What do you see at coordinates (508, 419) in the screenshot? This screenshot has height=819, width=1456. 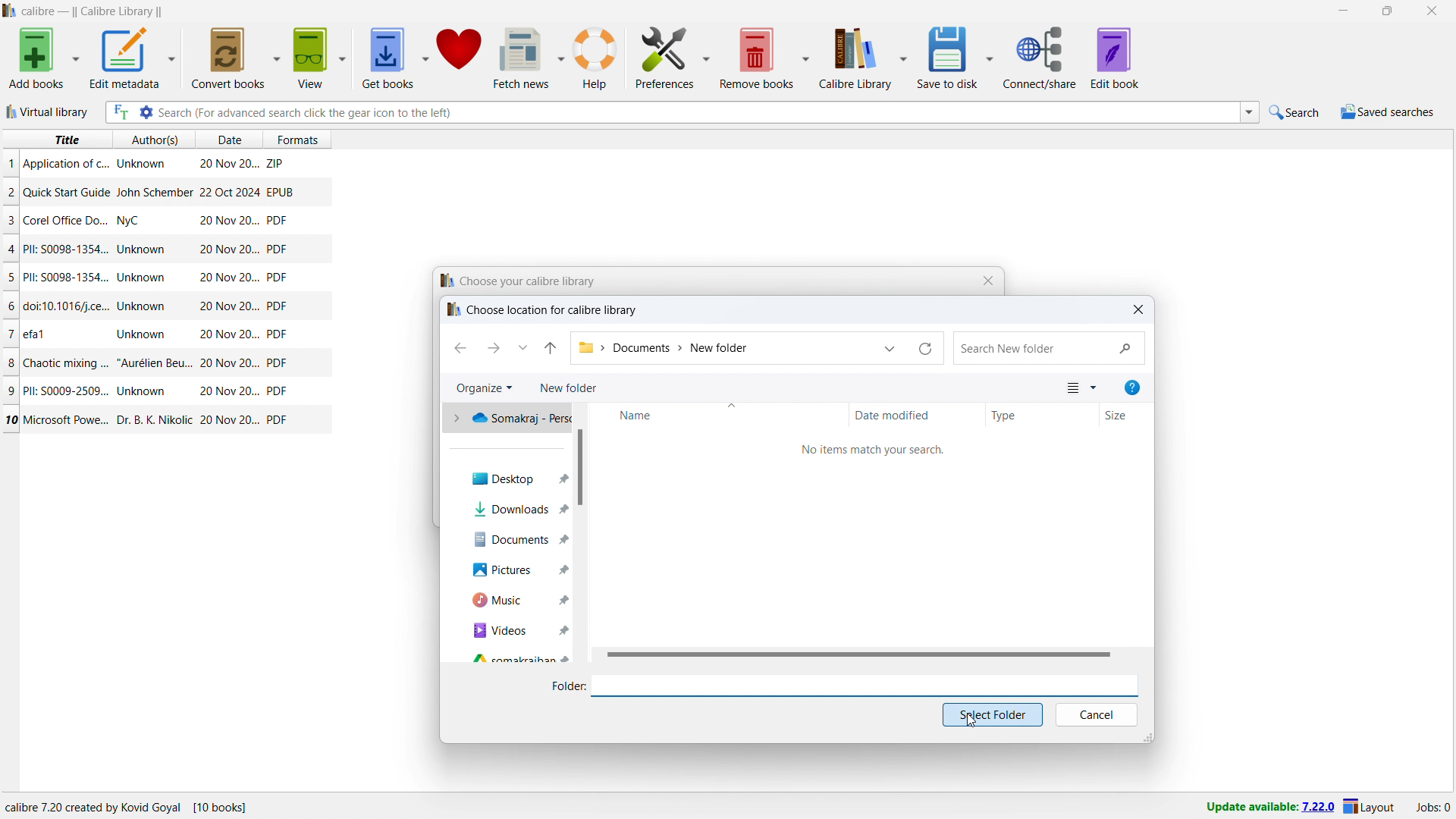 I see `quick access folders` at bounding box center [508, 419].